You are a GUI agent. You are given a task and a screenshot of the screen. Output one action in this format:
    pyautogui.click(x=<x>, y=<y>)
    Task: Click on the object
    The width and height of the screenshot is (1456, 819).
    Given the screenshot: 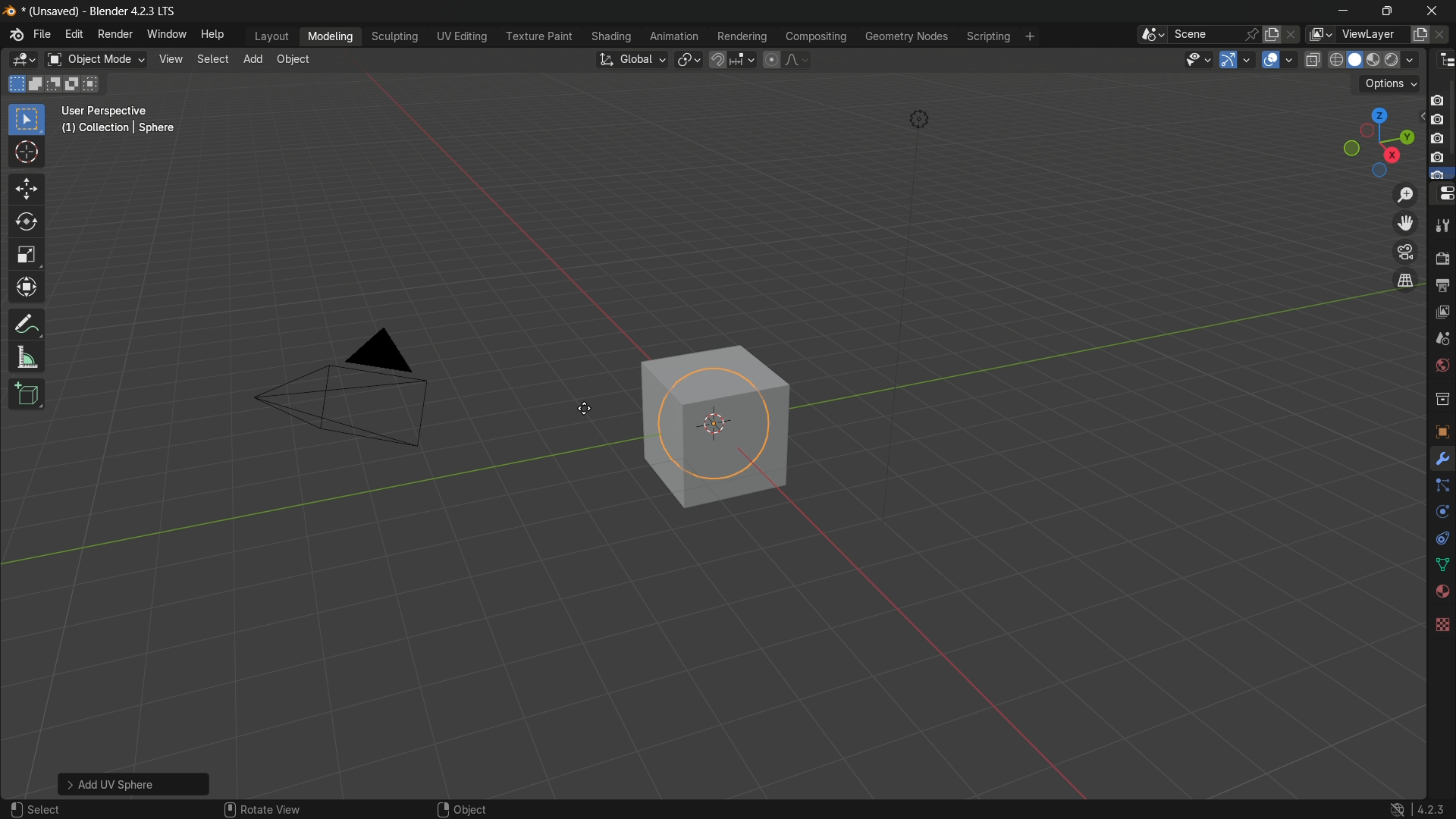 What is the action you would take?
    pyautogui.click(x=460, y=809)
    